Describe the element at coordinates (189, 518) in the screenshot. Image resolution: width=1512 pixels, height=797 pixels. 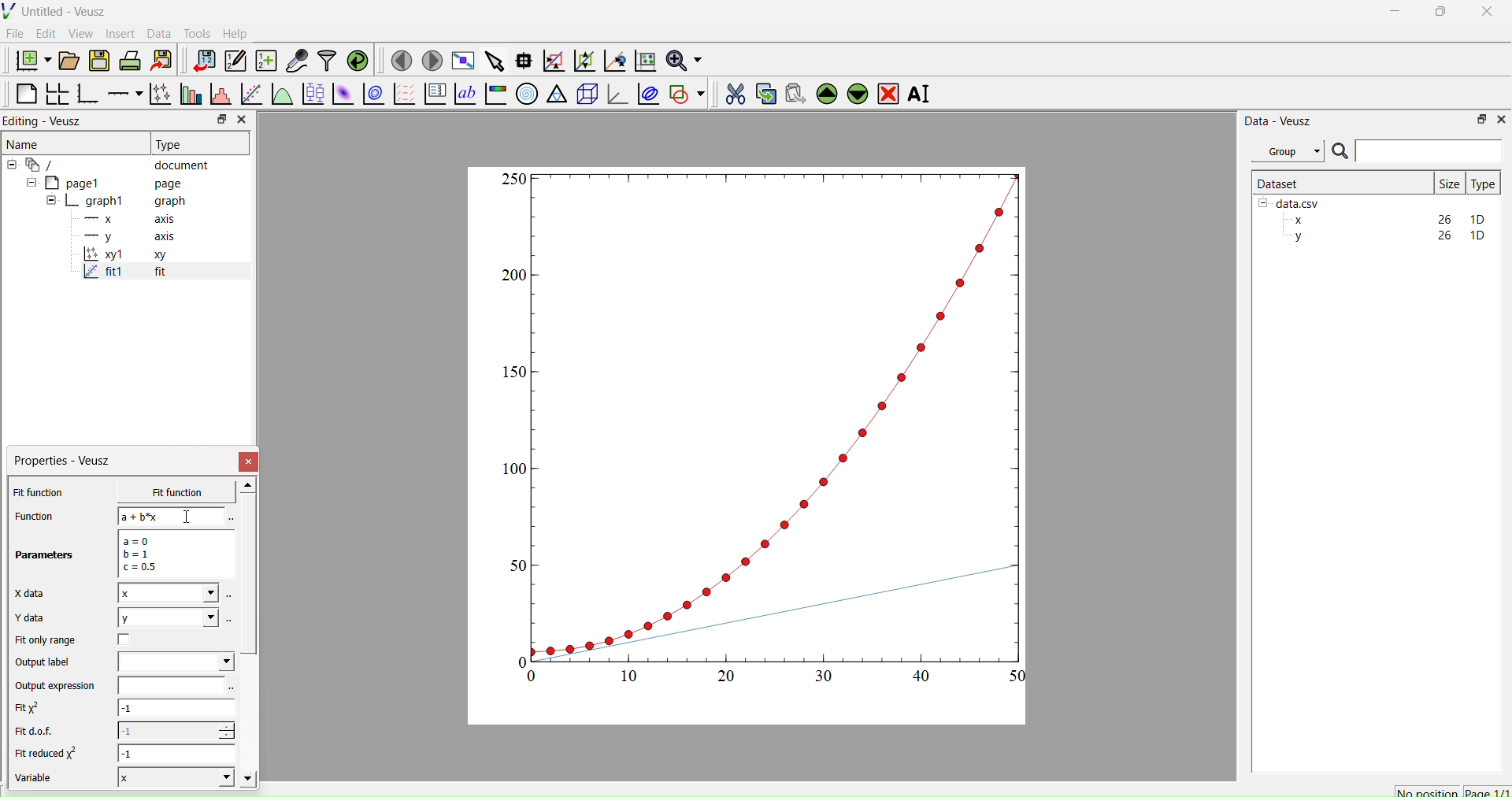
I see `Cursor` at that location.